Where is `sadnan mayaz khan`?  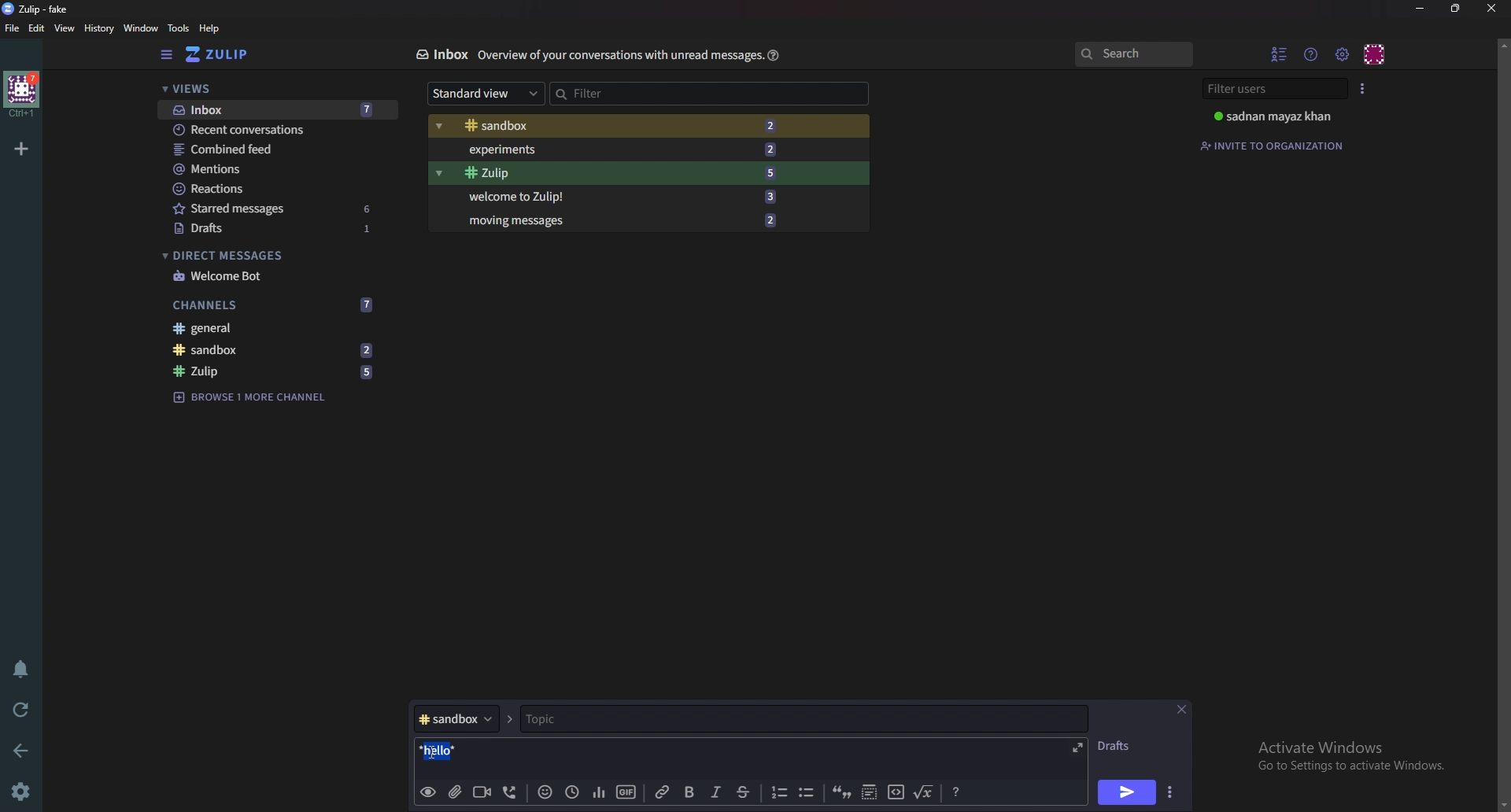 sadnan mayaz khan is located at coordinates (1274, 116).